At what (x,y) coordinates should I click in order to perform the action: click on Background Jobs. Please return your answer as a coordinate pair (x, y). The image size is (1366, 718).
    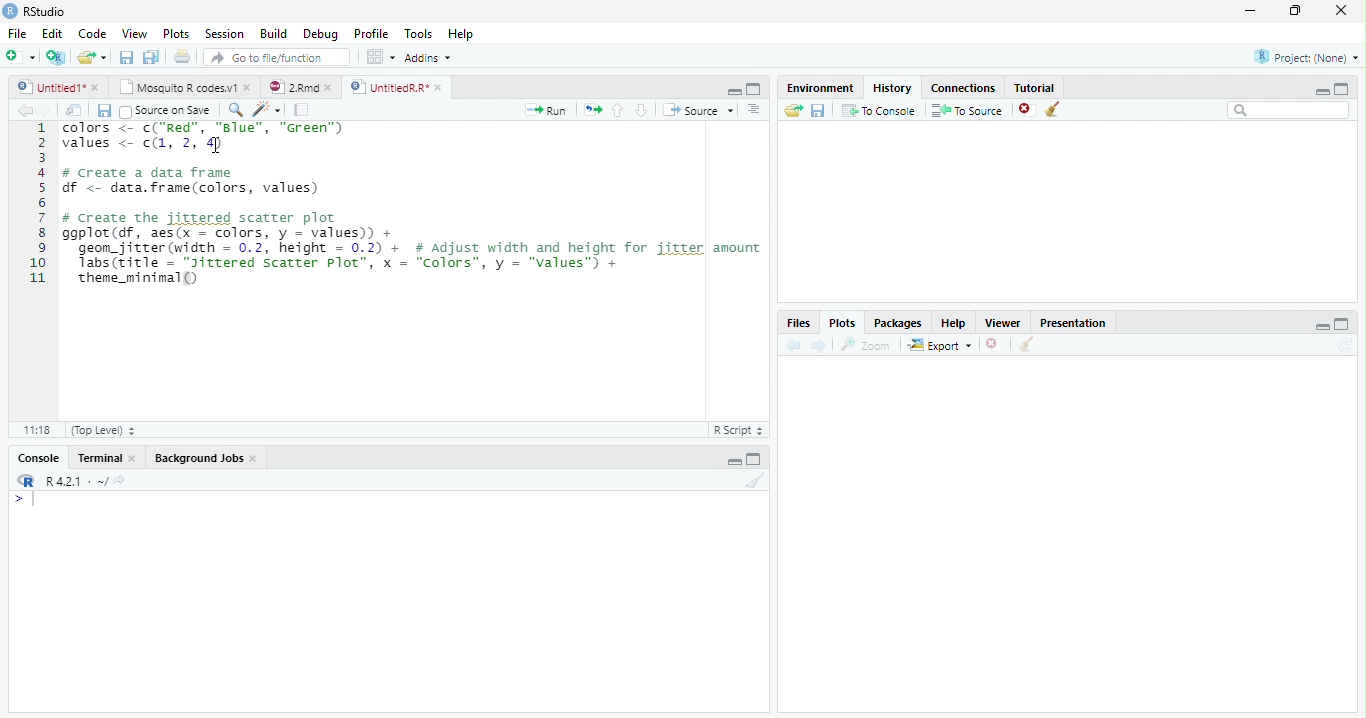
    Looking at the image, I should click on (198, 457).